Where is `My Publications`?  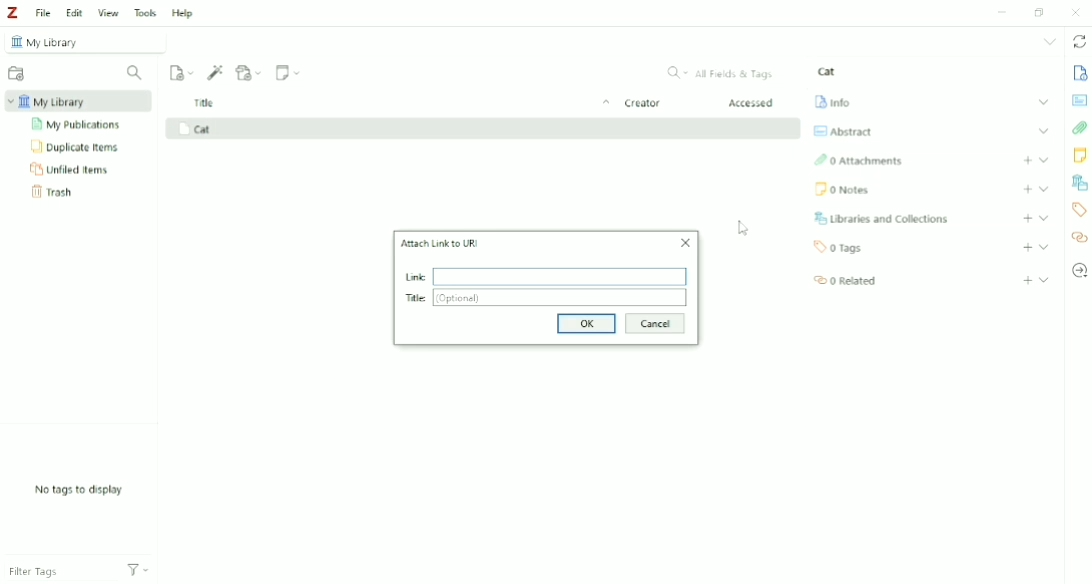
My Publications is located at coordinates (78, 125).